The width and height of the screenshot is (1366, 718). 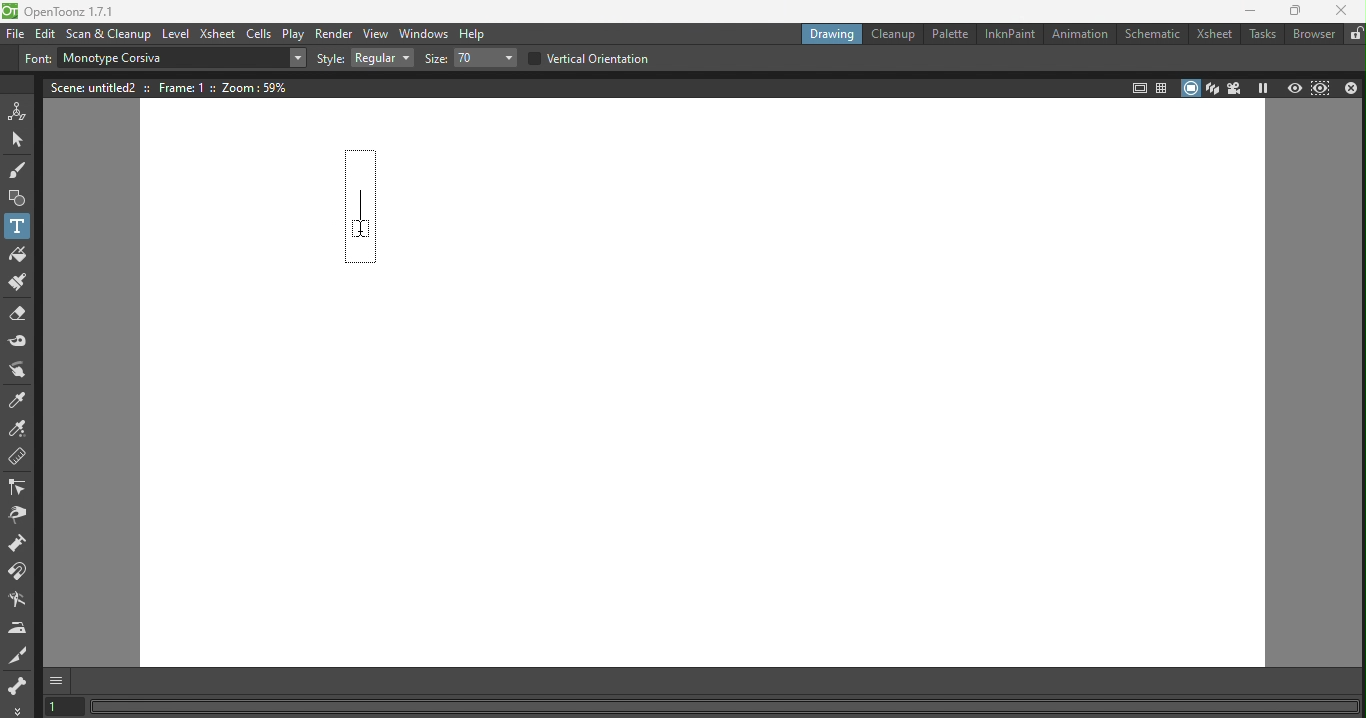 What do you see at coordinates (1292, 90) in the screenshot?
I see `Preview` at bounding box center [1292, 90].